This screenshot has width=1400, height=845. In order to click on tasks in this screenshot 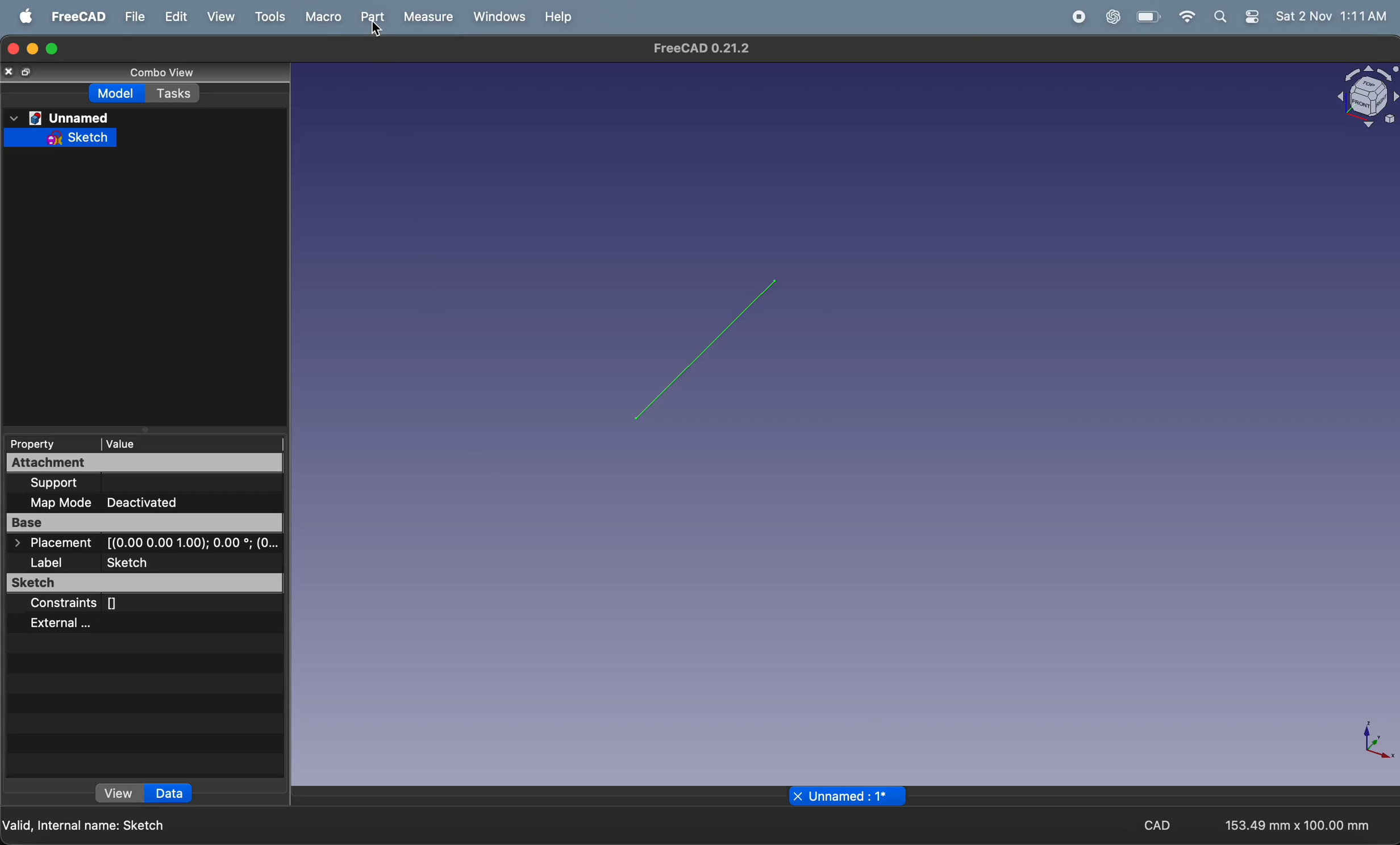, I will do `click(173, 93)`.